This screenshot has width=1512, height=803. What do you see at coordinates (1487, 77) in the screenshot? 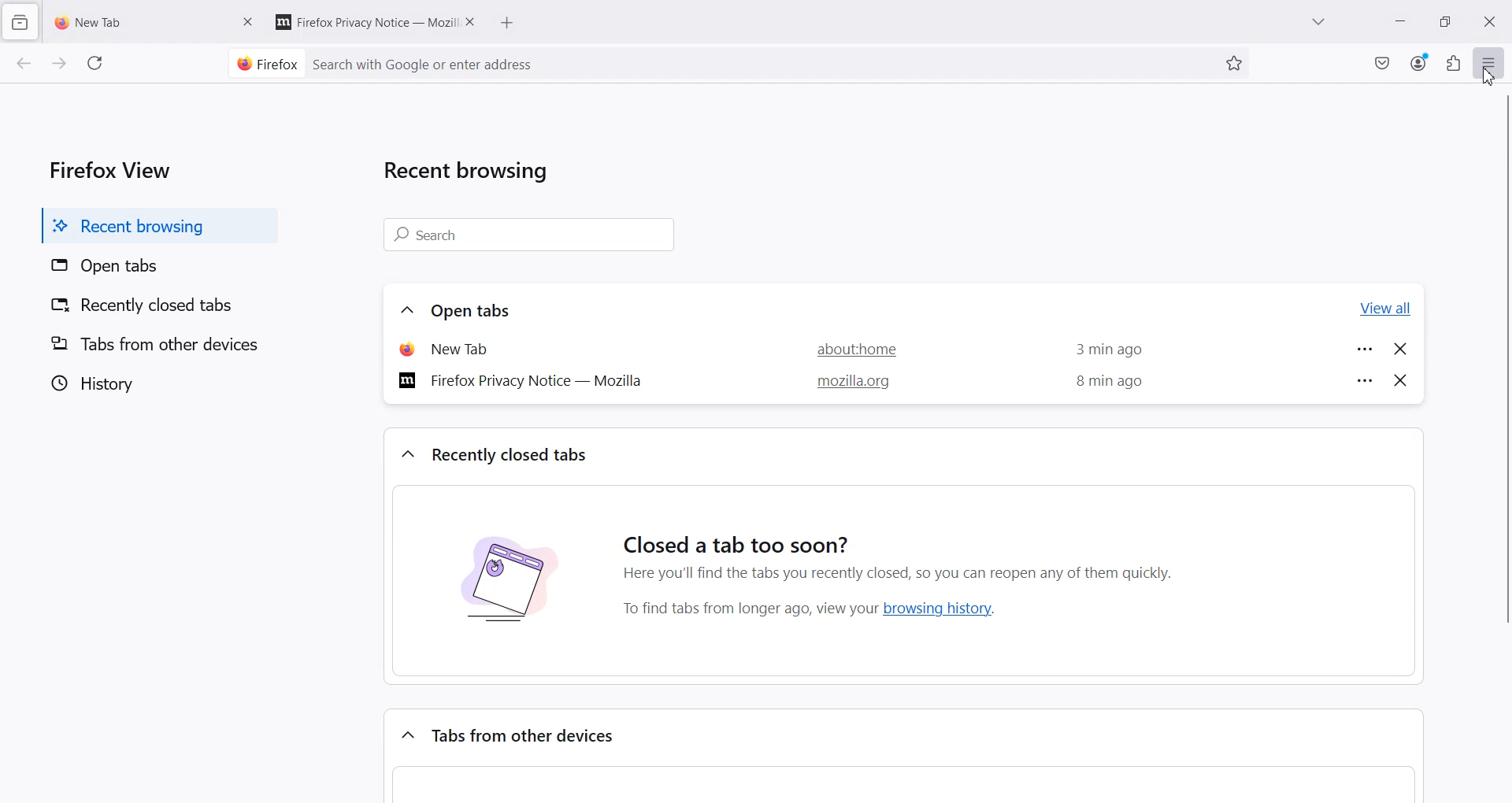
I see `Cursor` at bounding box center [1487, 77].